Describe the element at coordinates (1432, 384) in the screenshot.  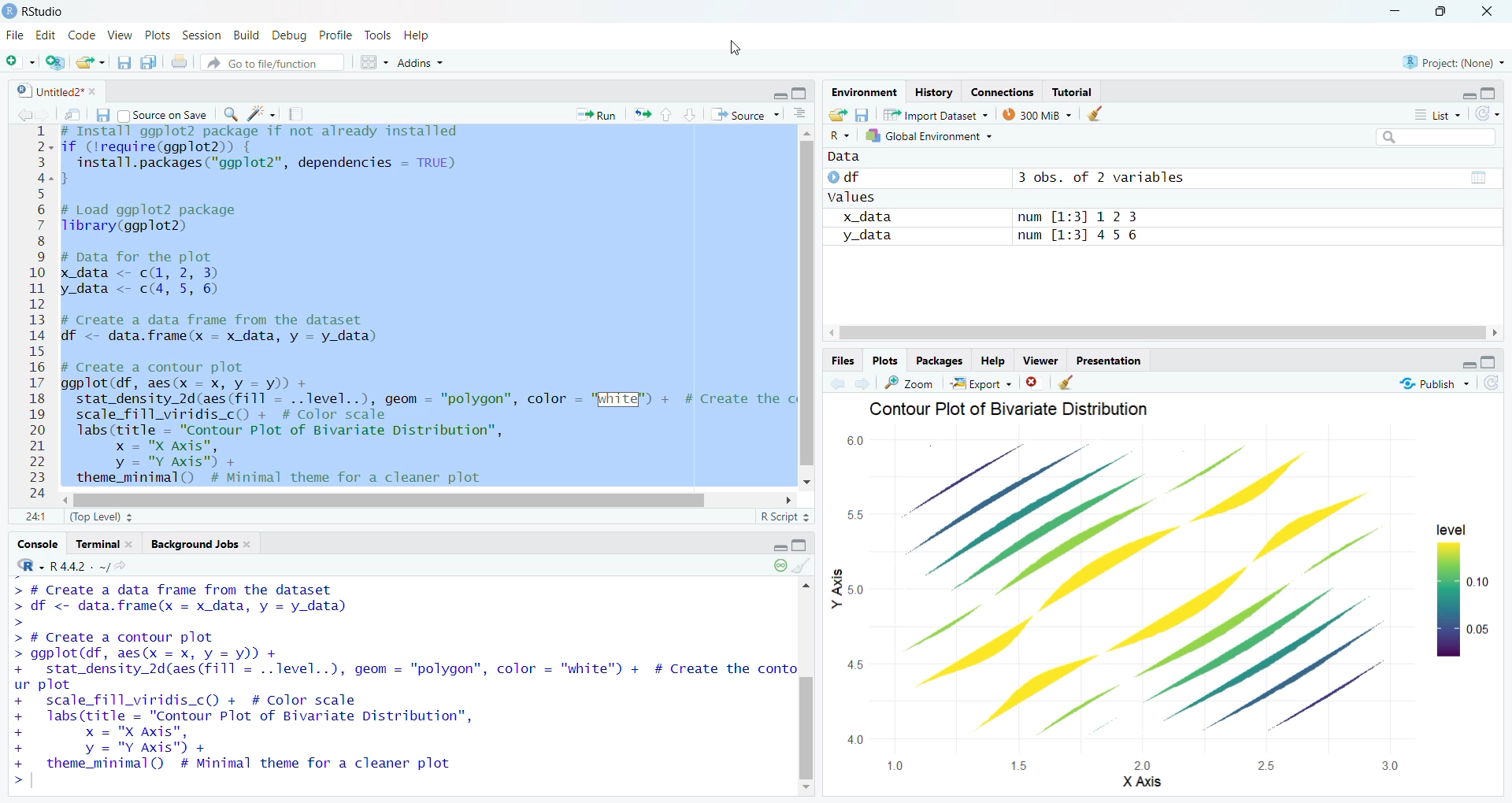
I see `publish` at that location.